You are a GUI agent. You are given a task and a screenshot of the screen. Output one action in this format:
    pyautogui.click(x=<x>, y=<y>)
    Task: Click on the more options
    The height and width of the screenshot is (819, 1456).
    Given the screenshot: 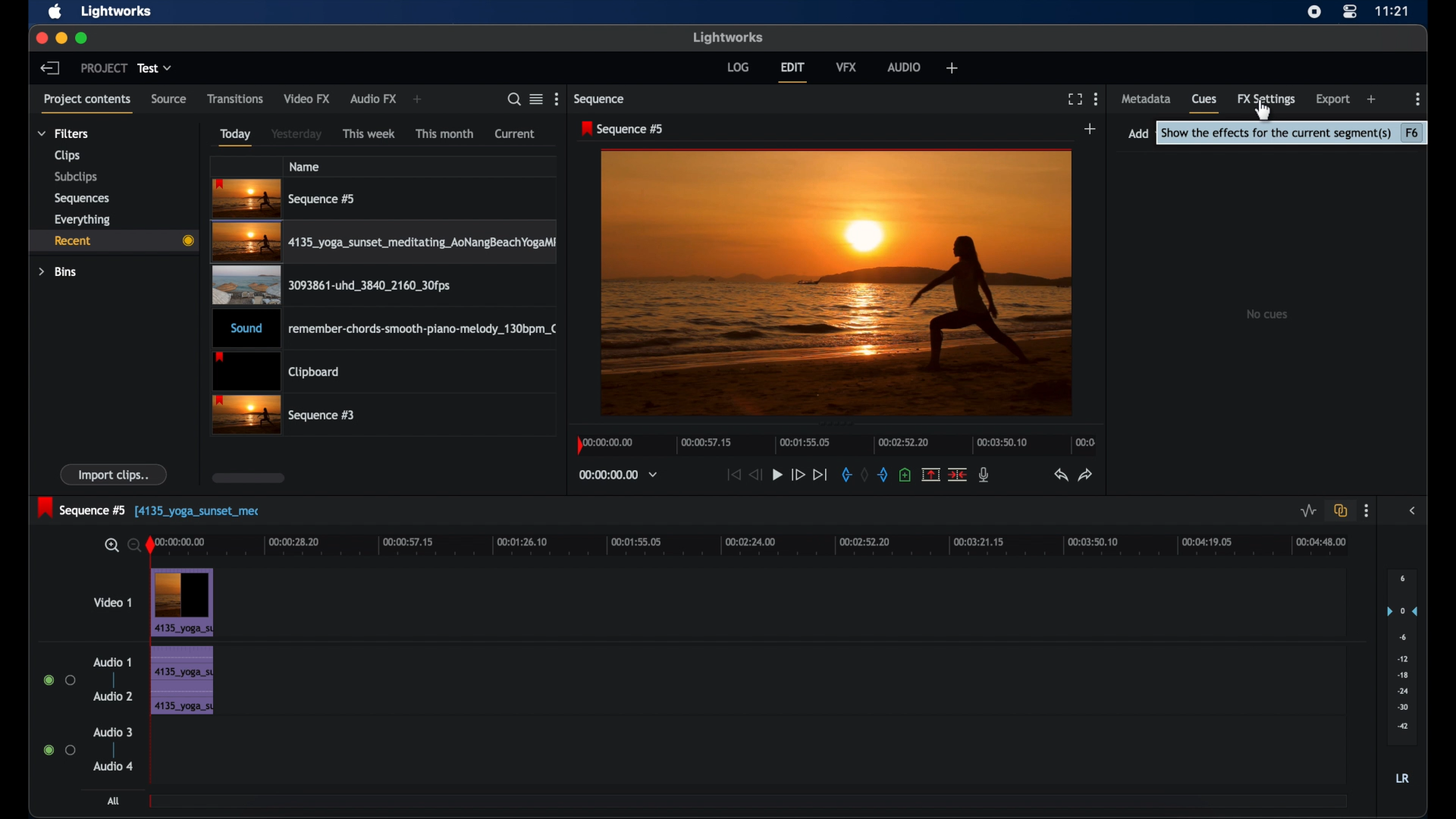 What is the action you would take?
    pyautogui.click(x=559, y=99)
    